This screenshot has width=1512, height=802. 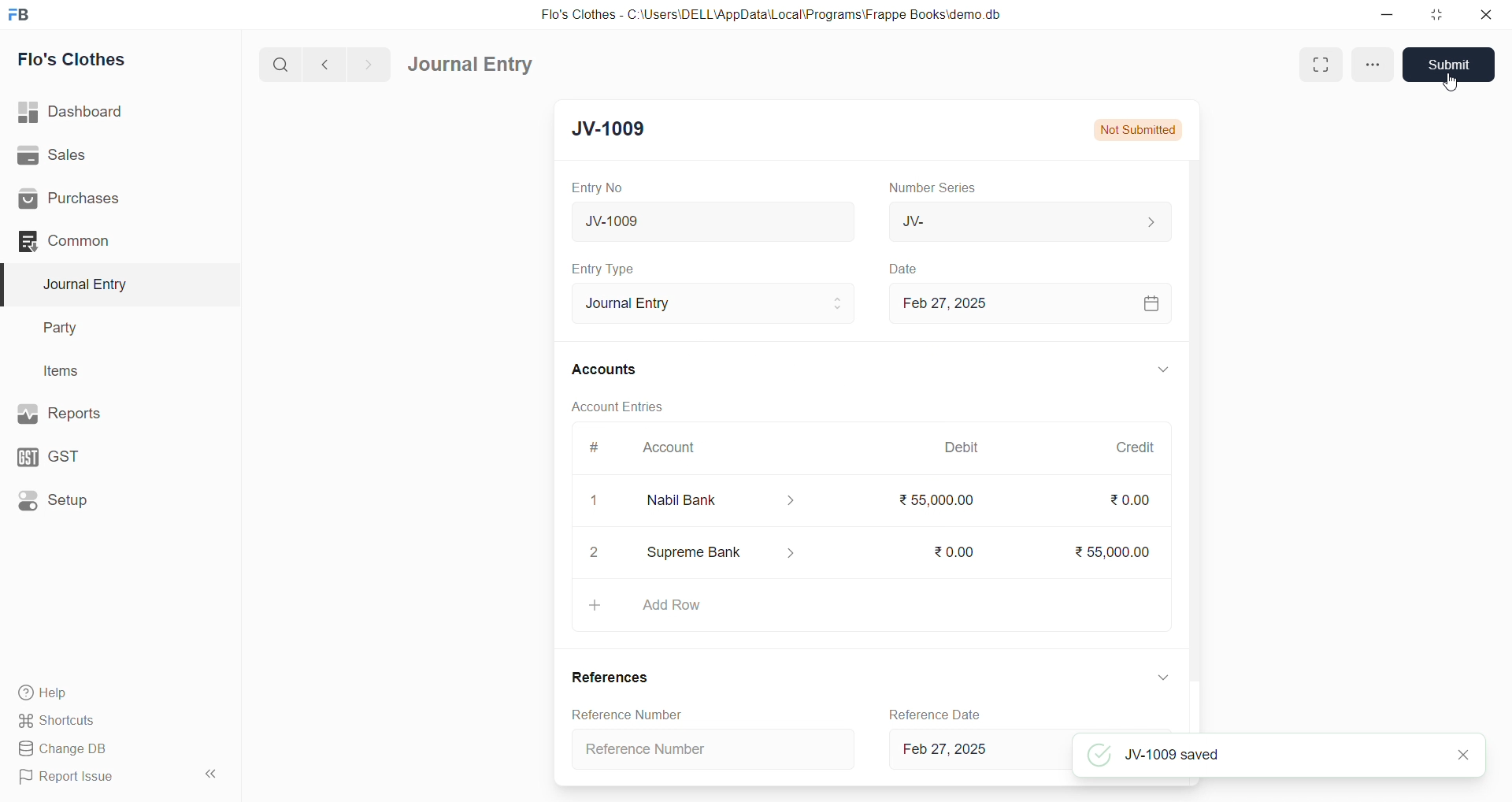 What do you see at coordinates (721, 503) in the screenshot?
I see `Nabil Bank` at bounding box center [721, 503].